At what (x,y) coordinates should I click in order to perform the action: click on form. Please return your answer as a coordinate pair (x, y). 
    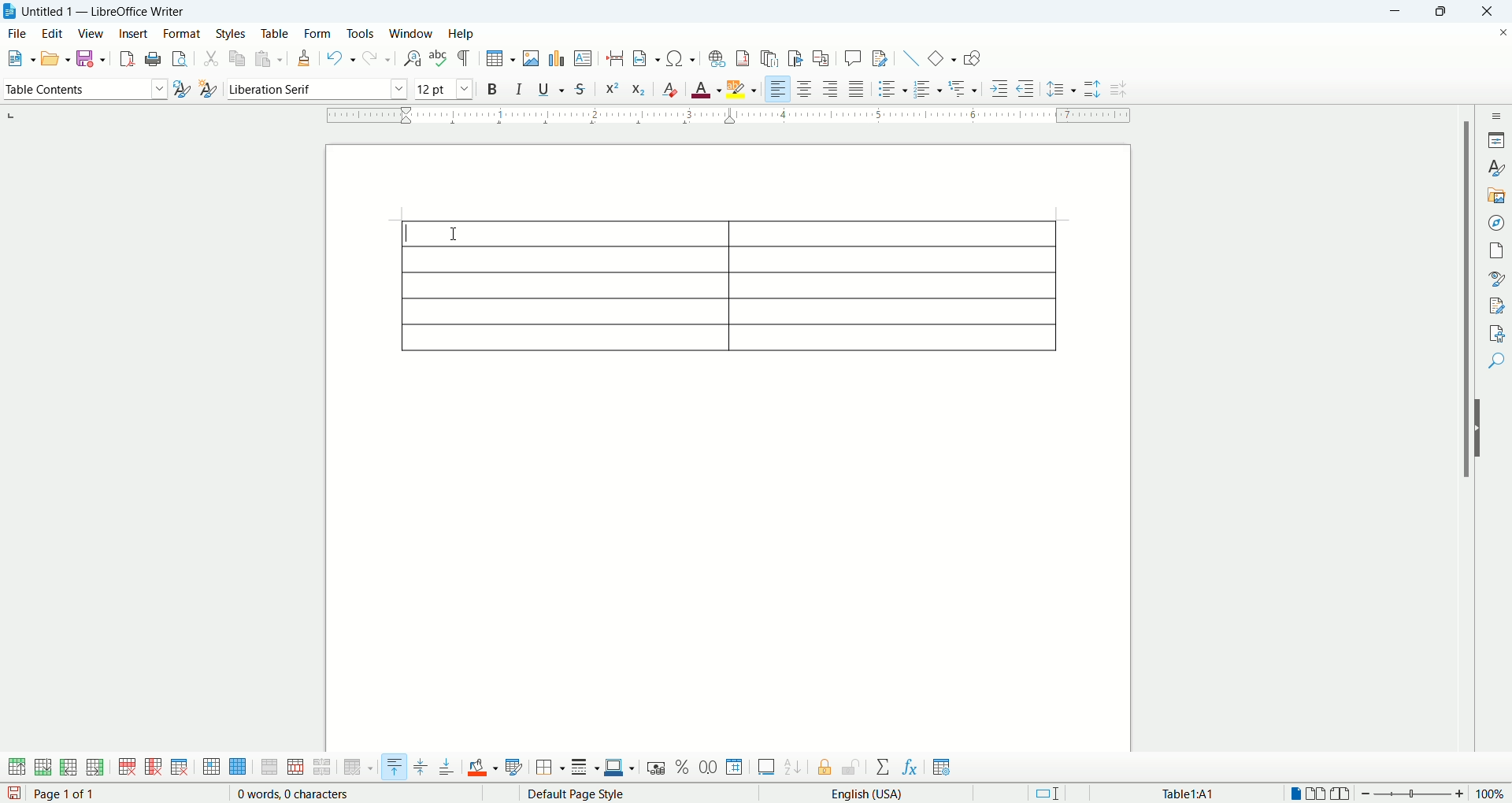
    Looking at the image, I should click on (319, 35).